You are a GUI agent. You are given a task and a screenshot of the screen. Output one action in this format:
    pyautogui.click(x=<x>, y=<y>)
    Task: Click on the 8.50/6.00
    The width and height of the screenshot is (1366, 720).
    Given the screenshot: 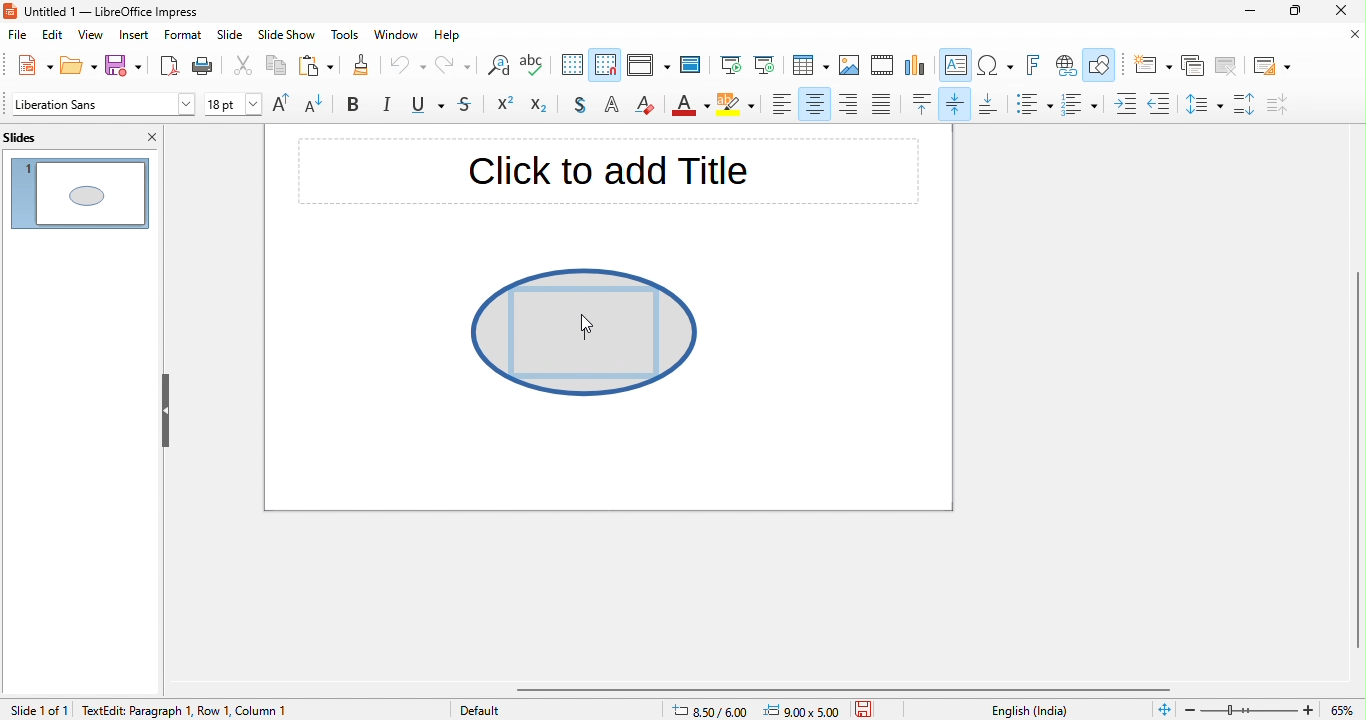 What is the action you would take?
    pyautogui.click(x=717, y=709)
    